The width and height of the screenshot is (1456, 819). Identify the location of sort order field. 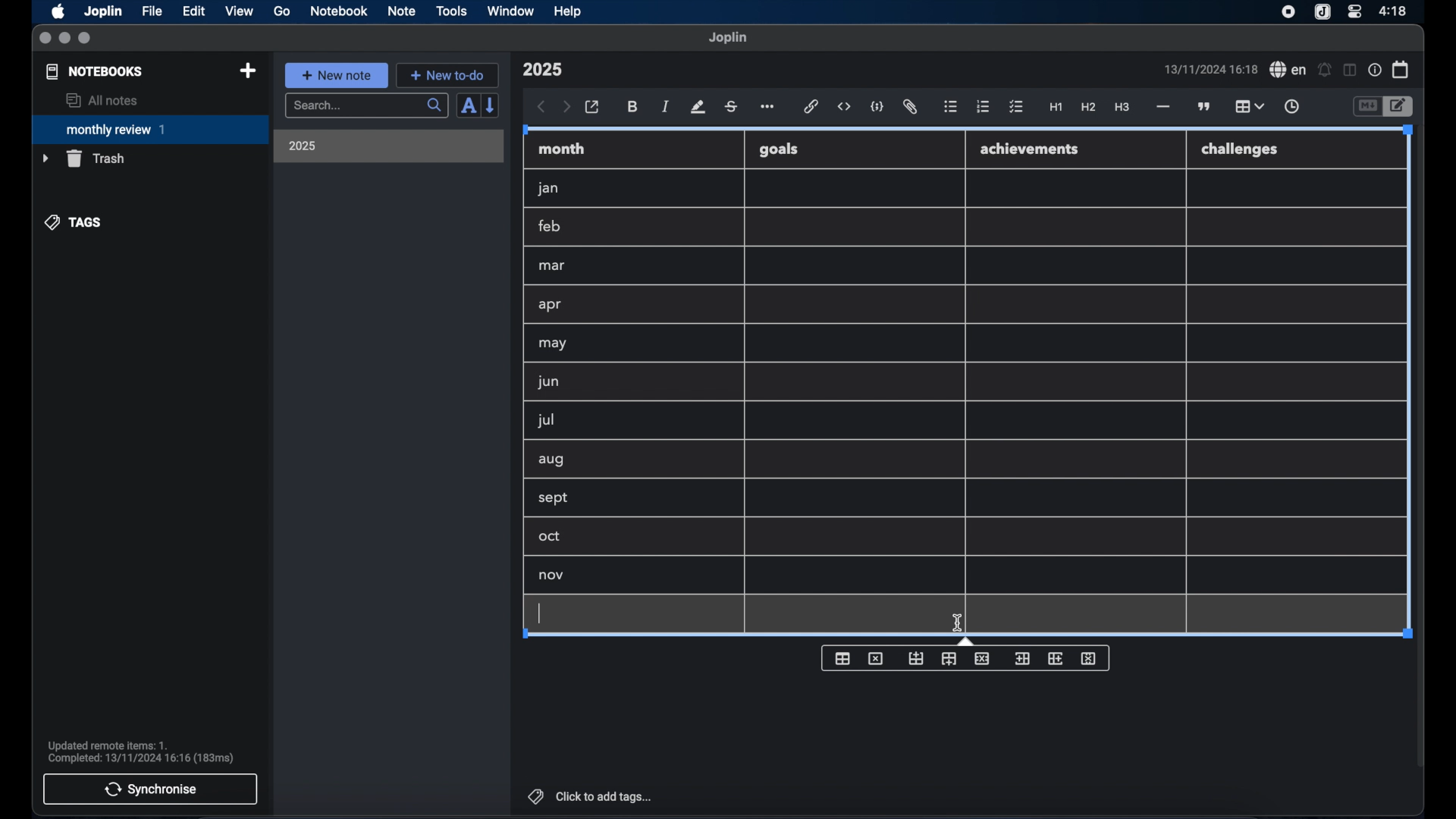
(468, 106).